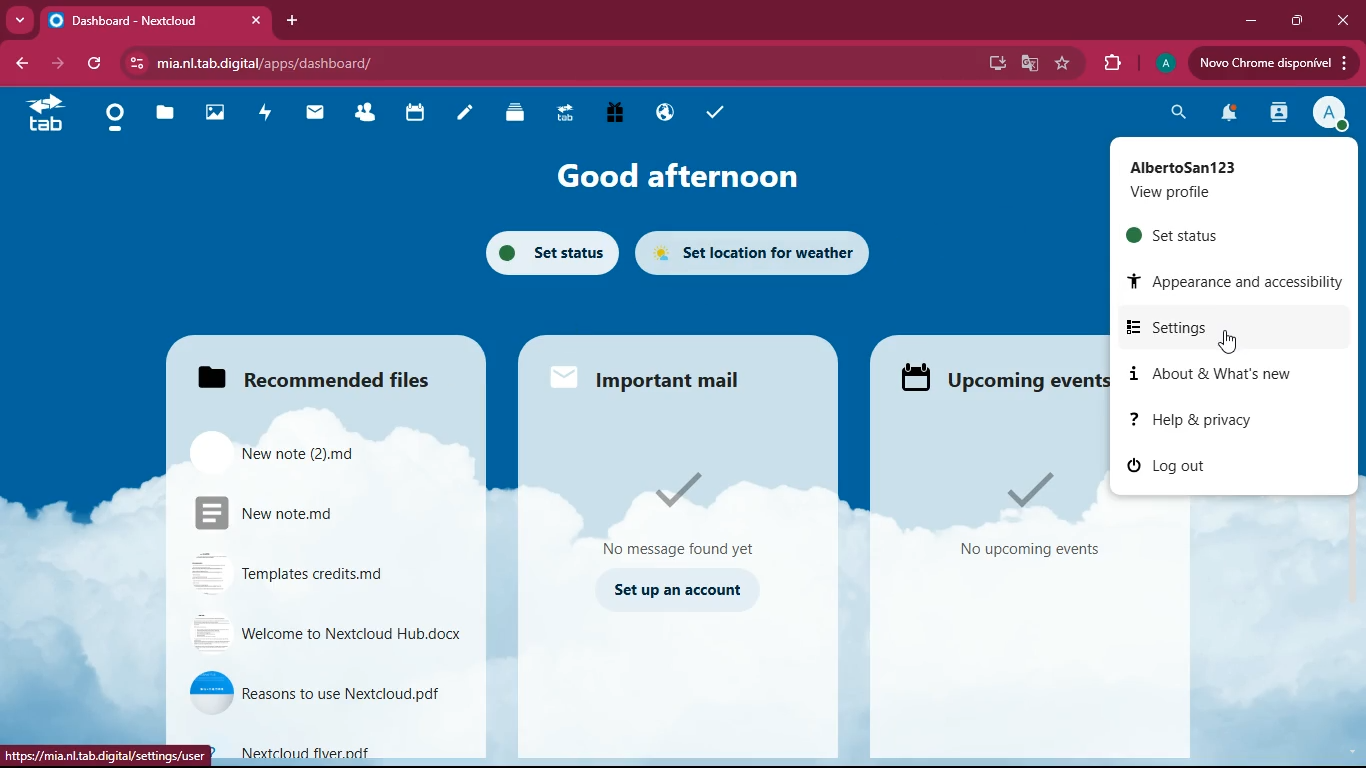  What do you see at coordinates (316, 512) in the screenshot?
I see `file` at bounding box center [316, 512].